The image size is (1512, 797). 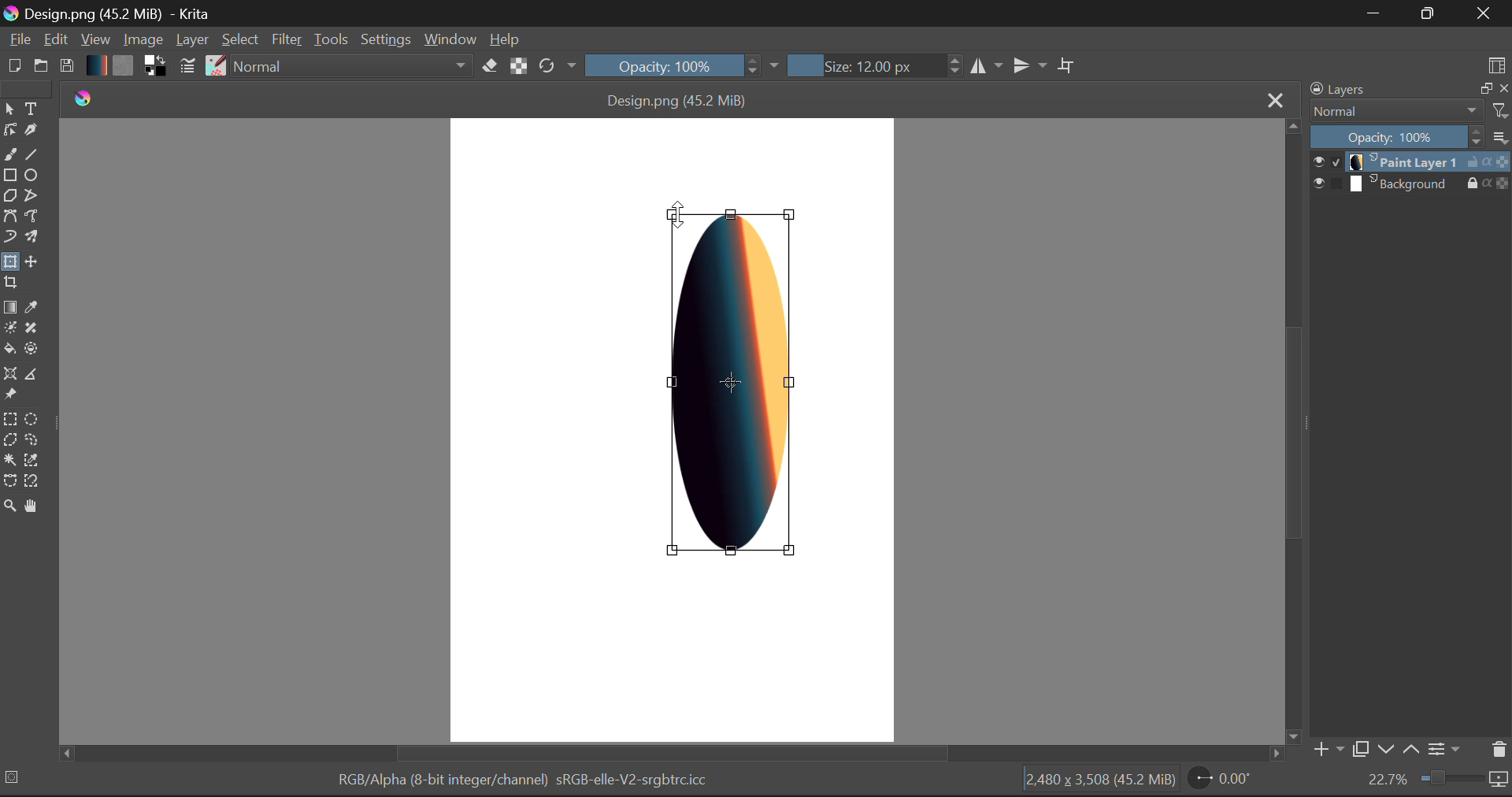 I want to click on Design.png (45.2 MB), so click(x=679, y=98).